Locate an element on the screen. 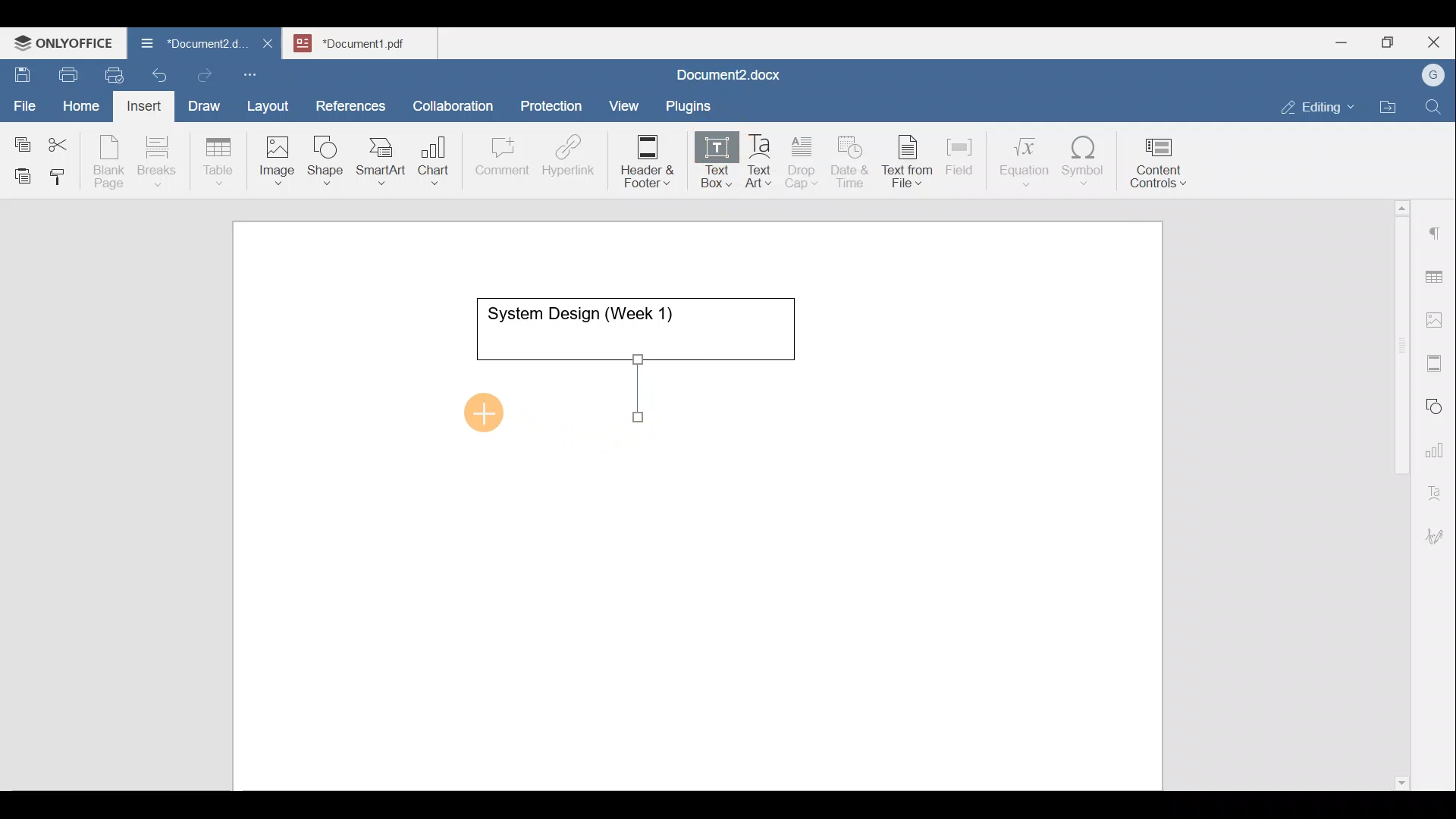 This screenshot has height=819, width=1456. References is located at coordinates (350, 104).